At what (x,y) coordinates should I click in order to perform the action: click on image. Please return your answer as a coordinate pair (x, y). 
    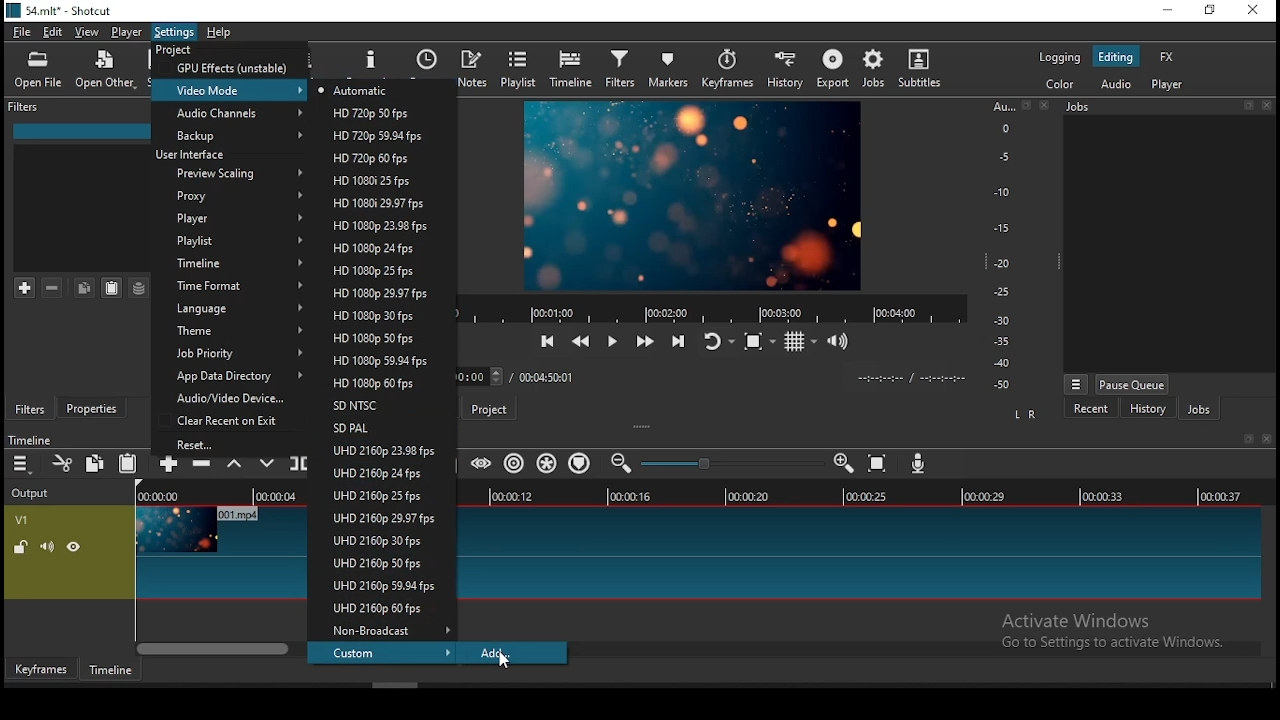
    Looking at the image, I should click on (689, 195).